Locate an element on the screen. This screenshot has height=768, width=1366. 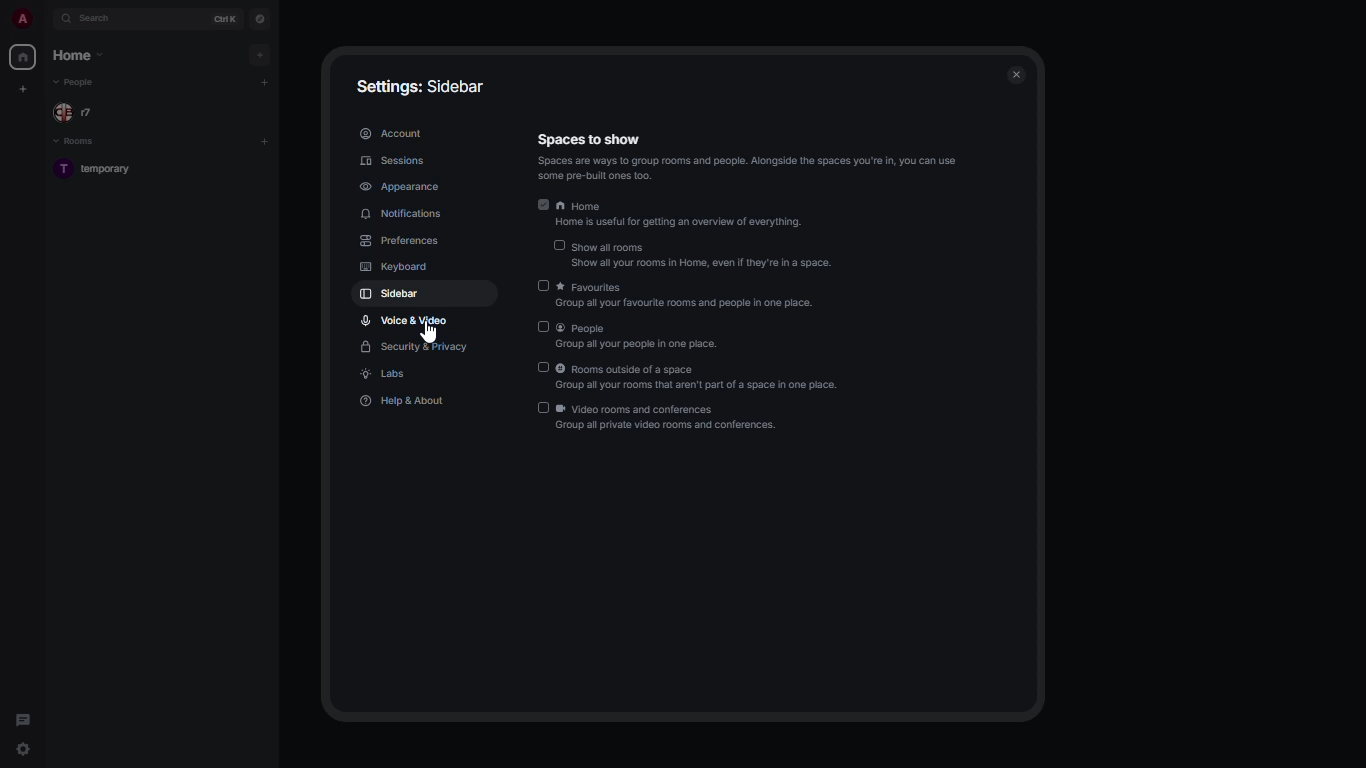
labs is located at coordinates (390, 376).